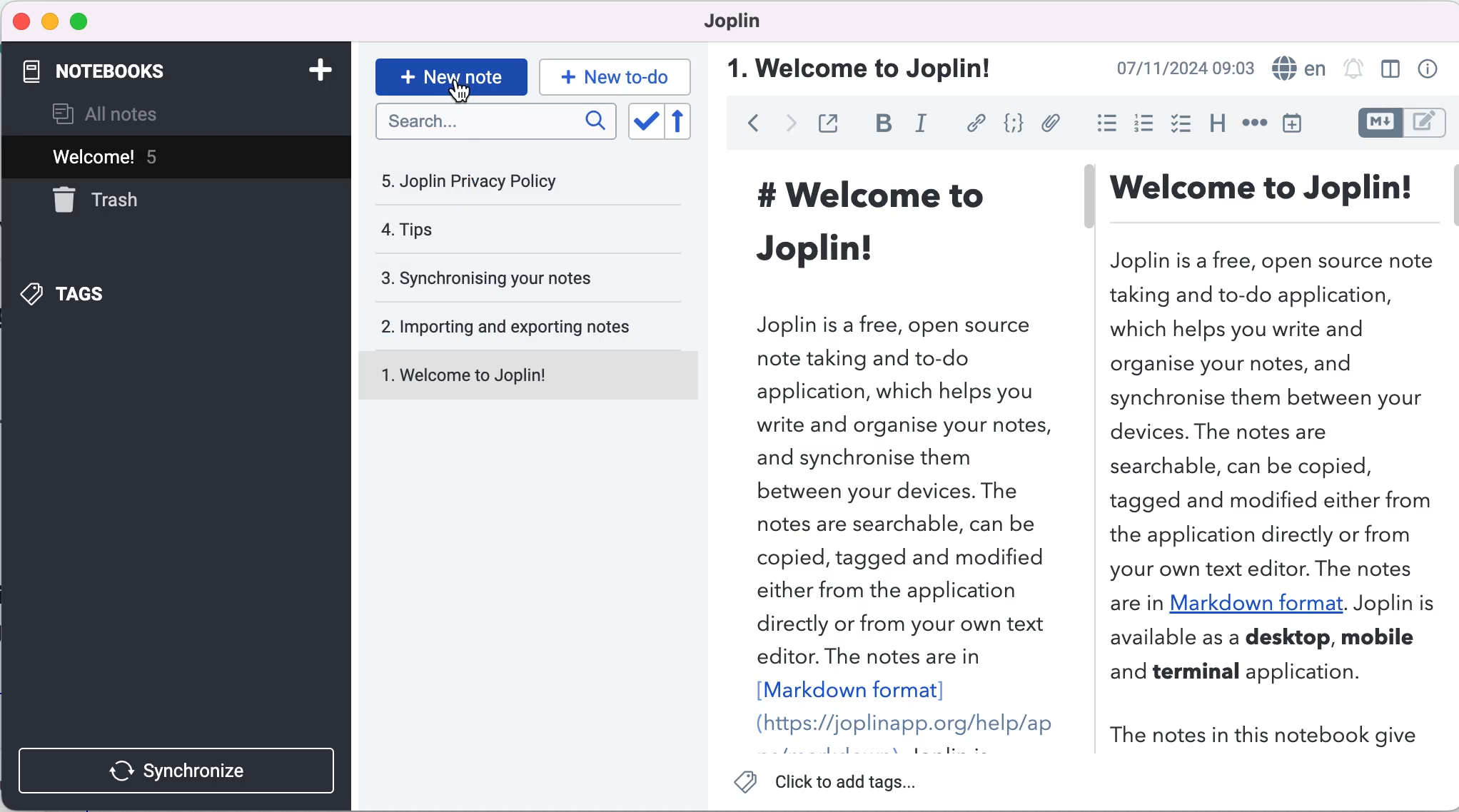  What do you see at coordinates (480, 181) in the screenshot?
I see `joplin privacy policy` at bounding box center [480, 181].